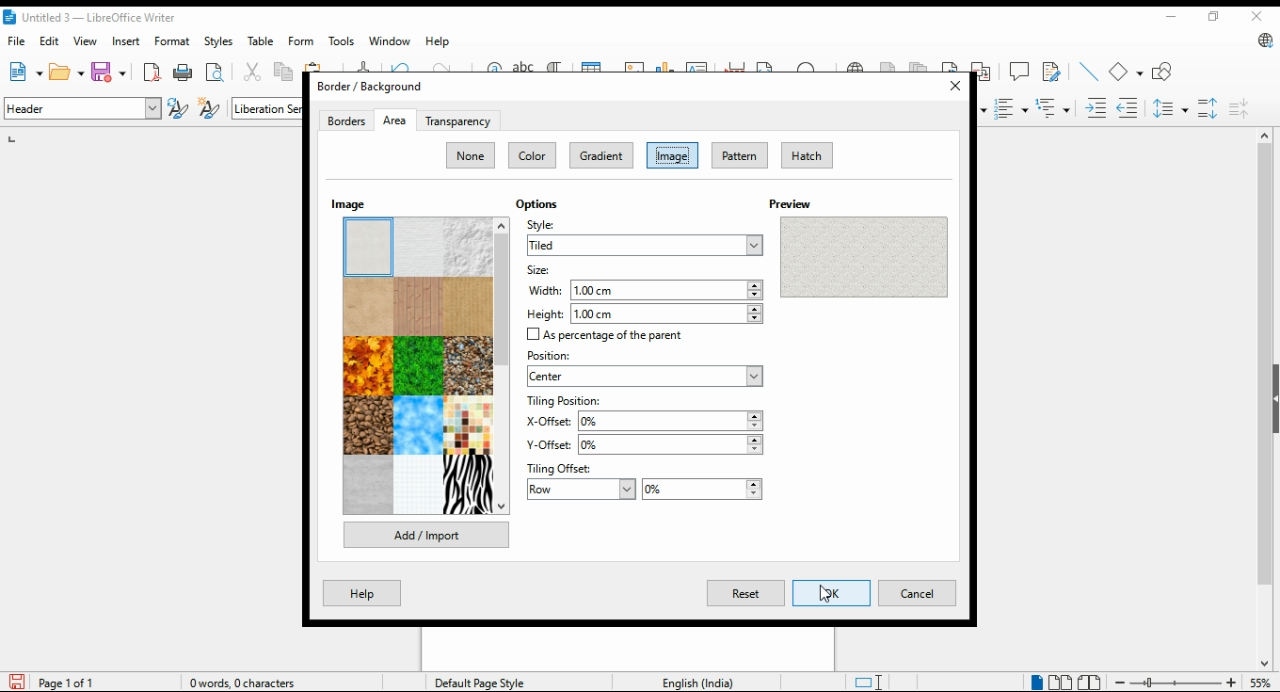 The width and height of the screenshot is (1280, 692). Describe the element at coordinates (616, 336) in the screenshot. I see `checkbox: as percentage of the parent` at that location.